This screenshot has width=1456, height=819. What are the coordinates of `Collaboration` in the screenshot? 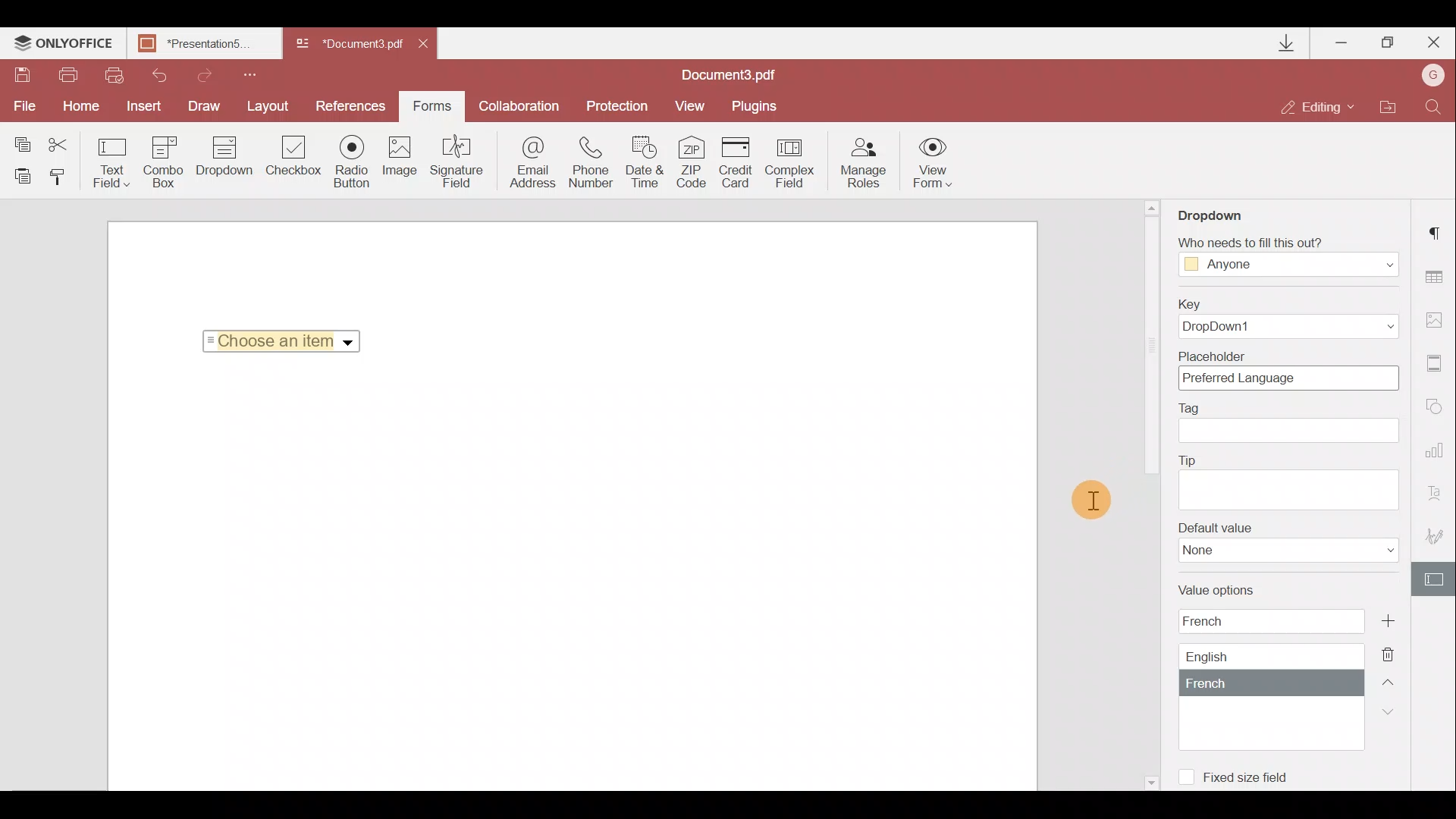 It's located at (518, 106).